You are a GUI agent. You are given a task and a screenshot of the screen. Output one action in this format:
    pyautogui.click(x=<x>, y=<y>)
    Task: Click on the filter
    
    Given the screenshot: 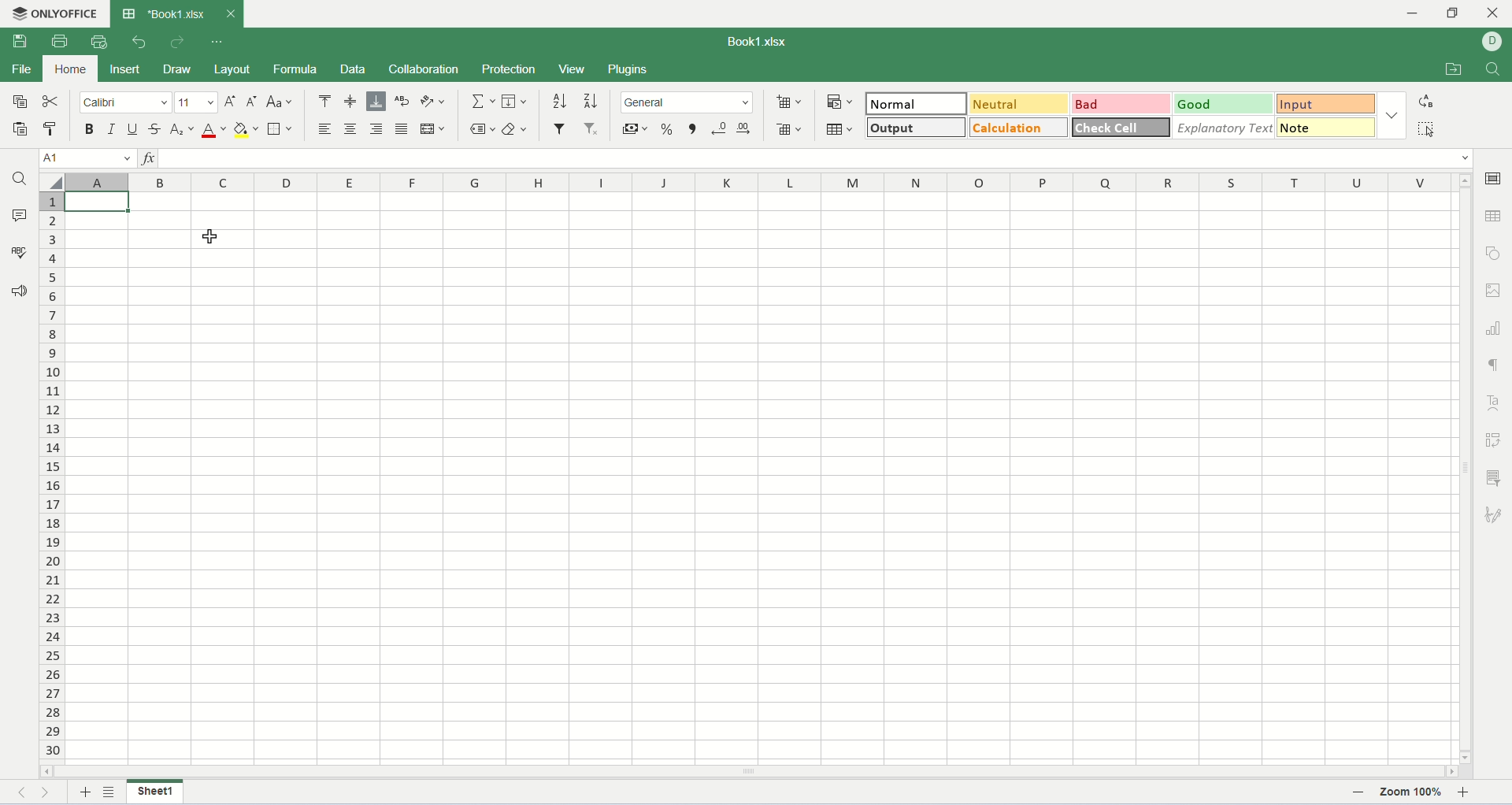 What is the action you would take?
    pyautogui.click(x=561, y=128)
    